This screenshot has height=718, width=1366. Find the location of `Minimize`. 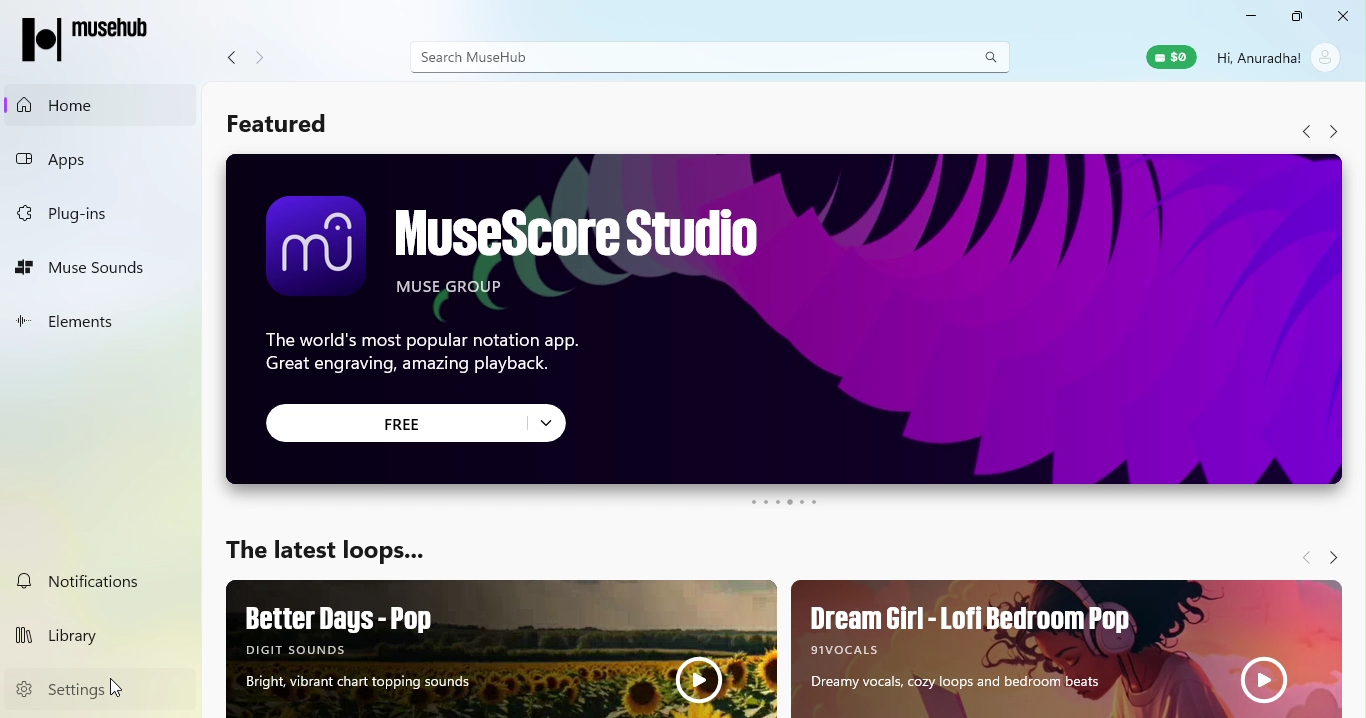

Minimize is located at coordinates (1246, 16).